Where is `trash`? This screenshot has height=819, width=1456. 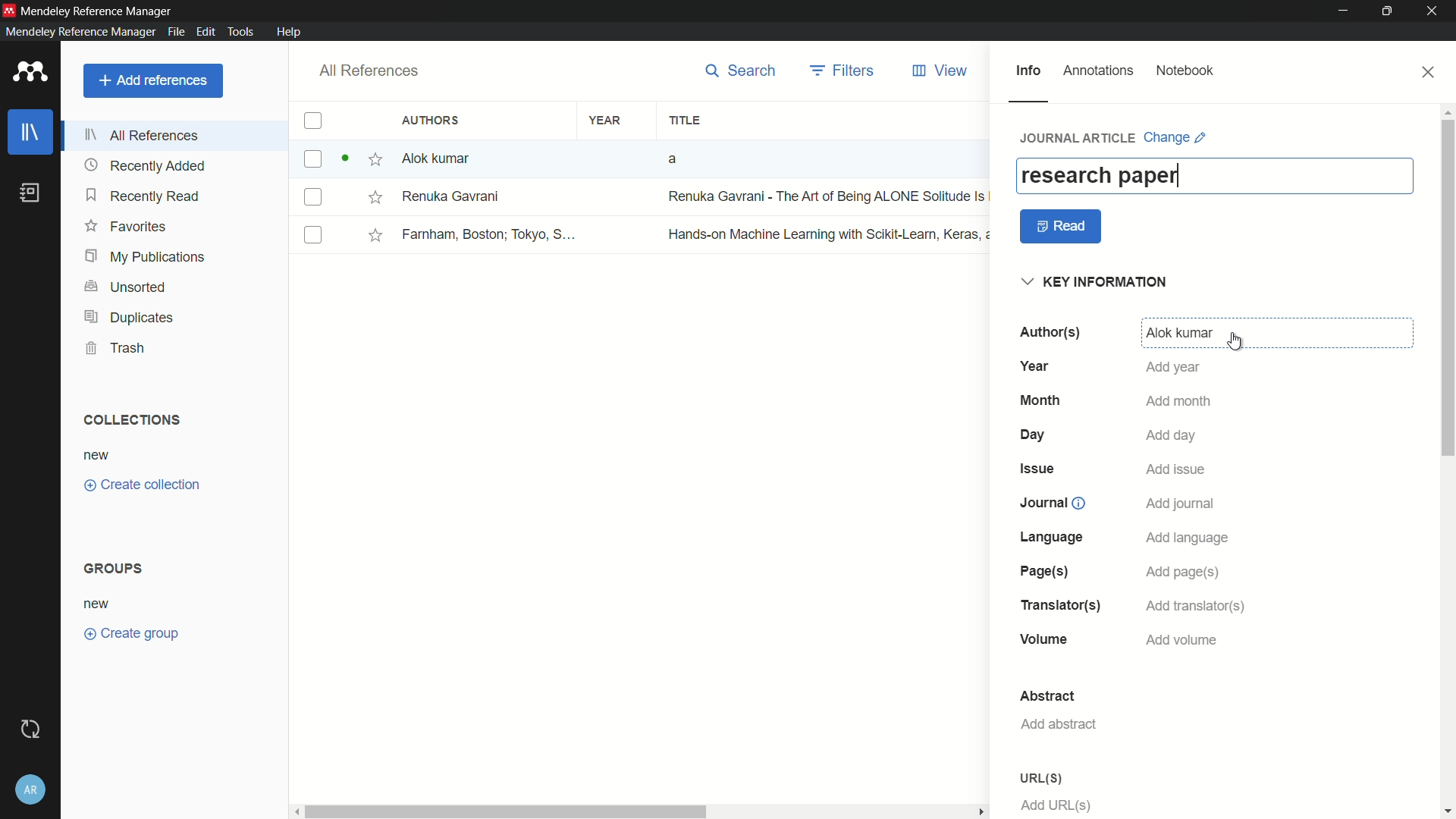
trash is located at coordinates (117, 347).